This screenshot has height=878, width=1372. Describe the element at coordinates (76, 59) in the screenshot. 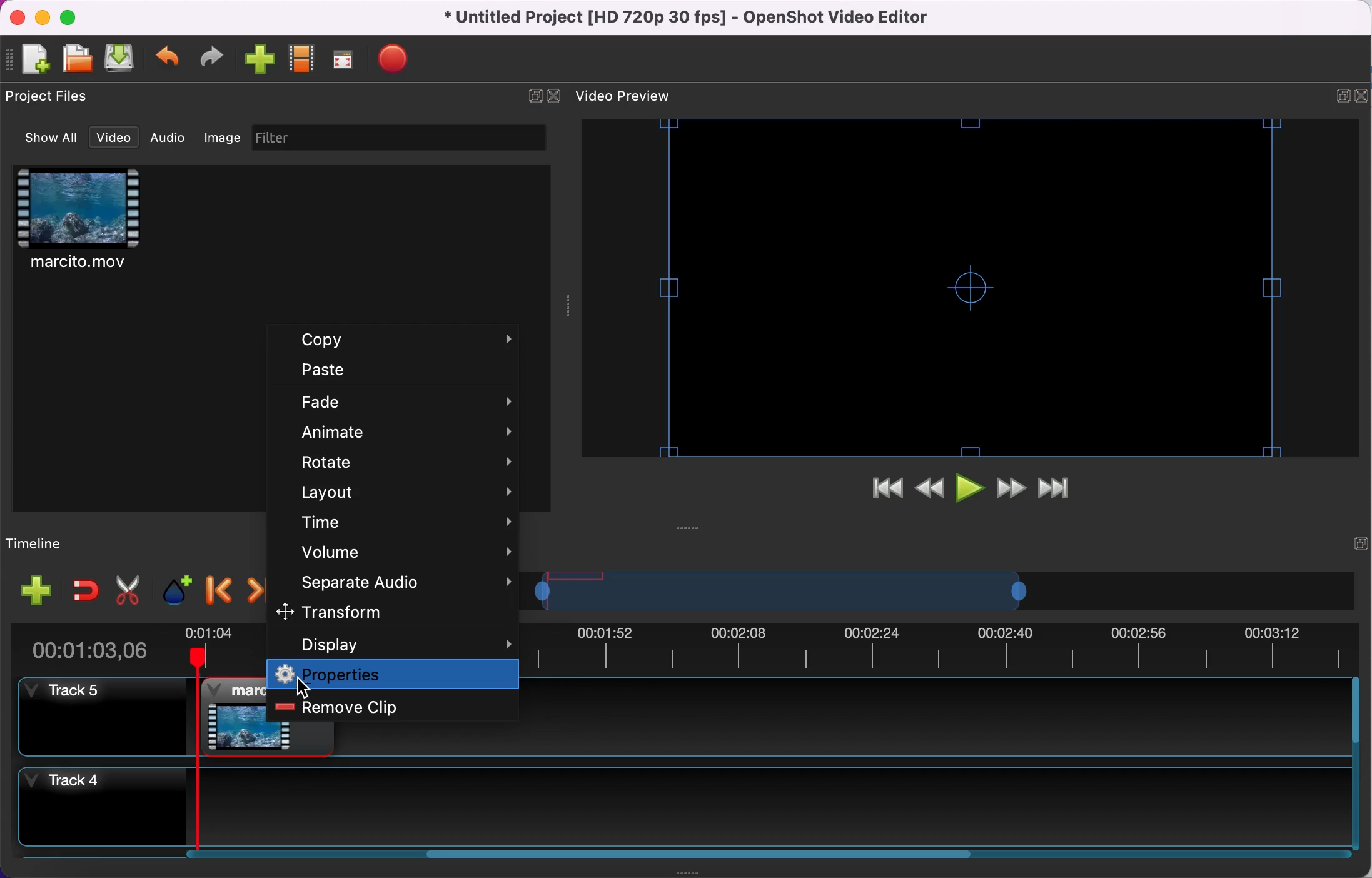

I see `open file` at that location.